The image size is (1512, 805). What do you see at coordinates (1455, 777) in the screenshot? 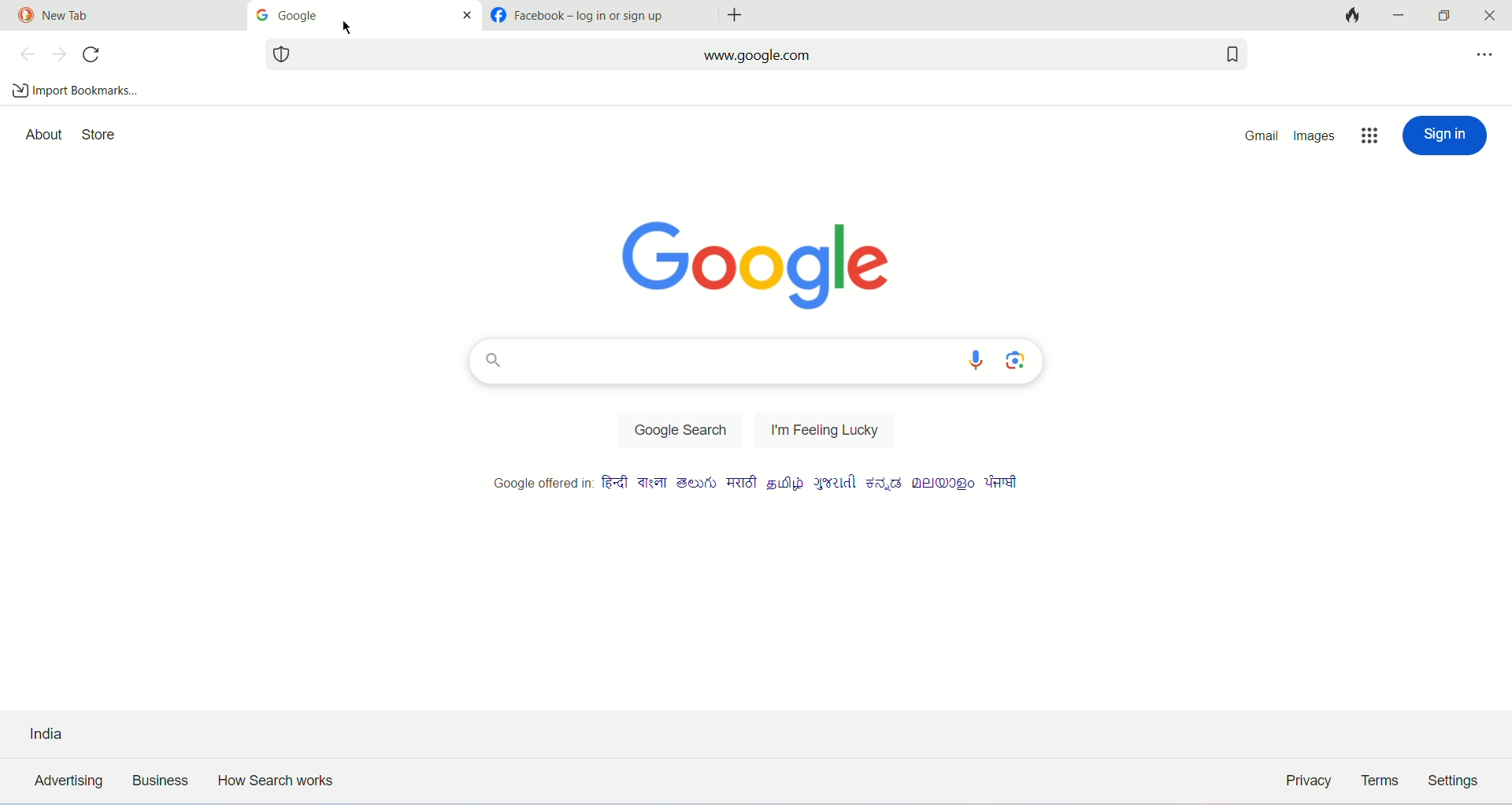
I see `settings` at bounding box center [1455, 777].